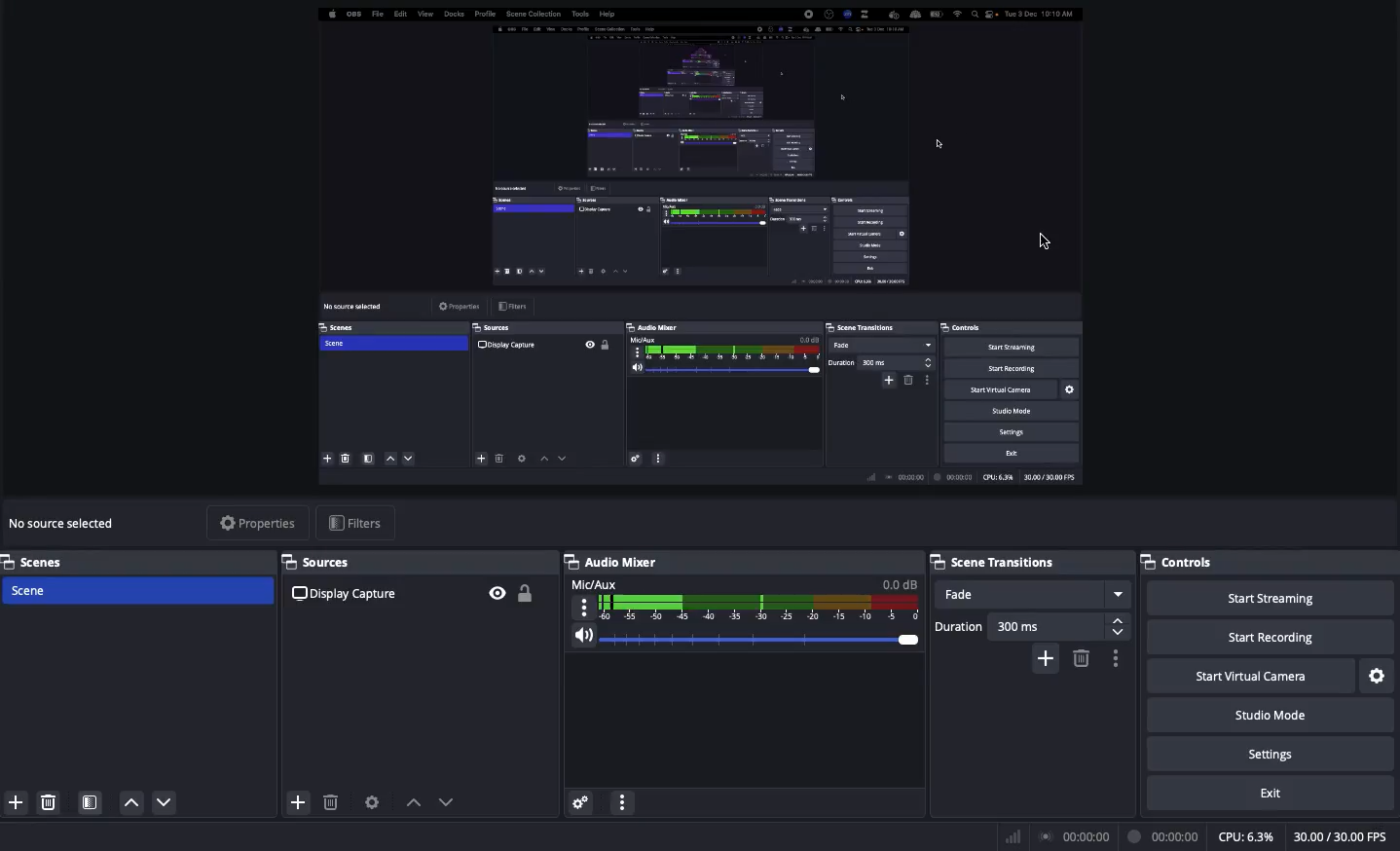  What do you see at coordinates (621, 805) in the screenshot?
I see `More` at bounding box center [621, 805].